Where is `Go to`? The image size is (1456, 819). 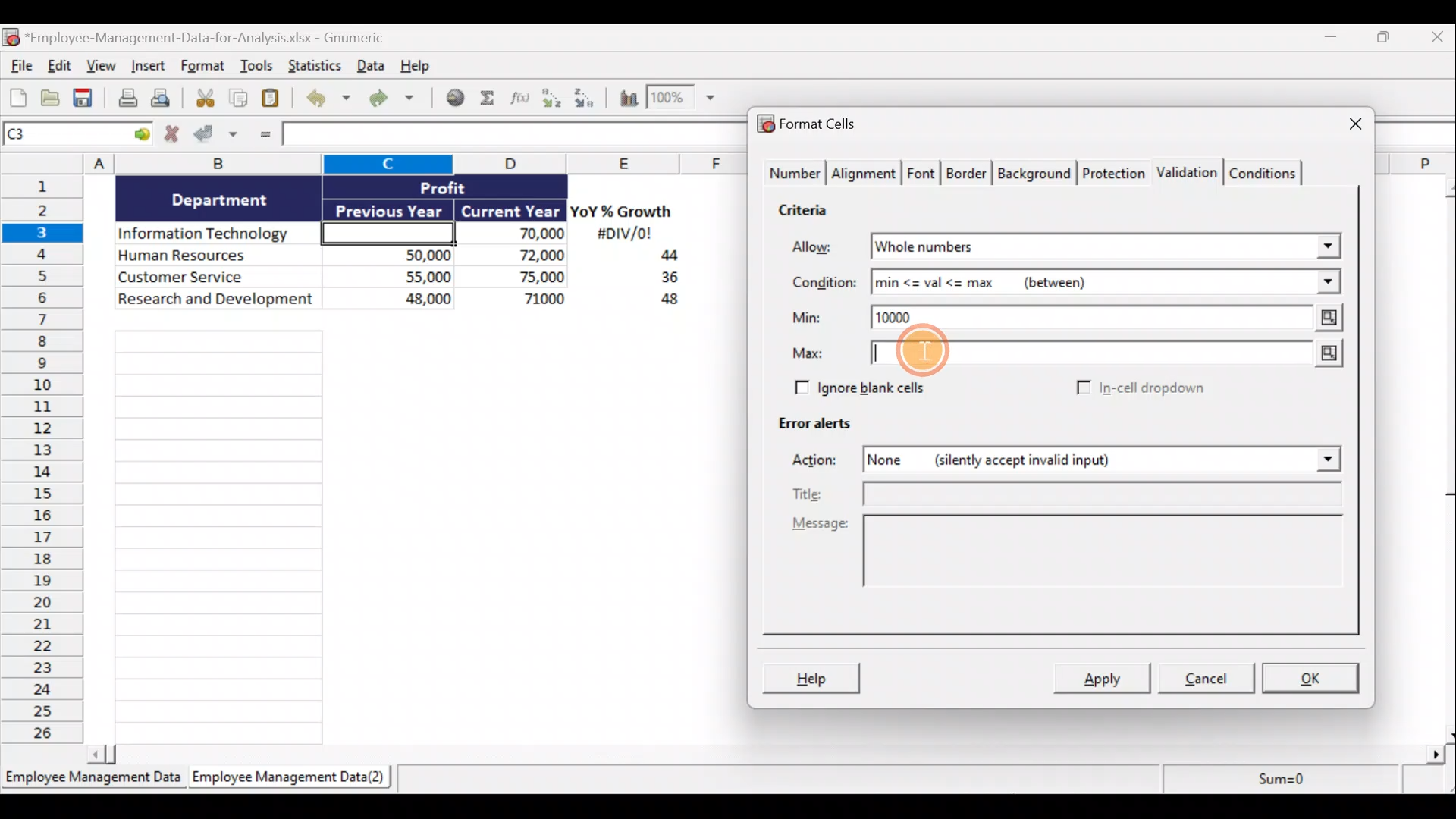
Go to is located at coordinates (142, 135).